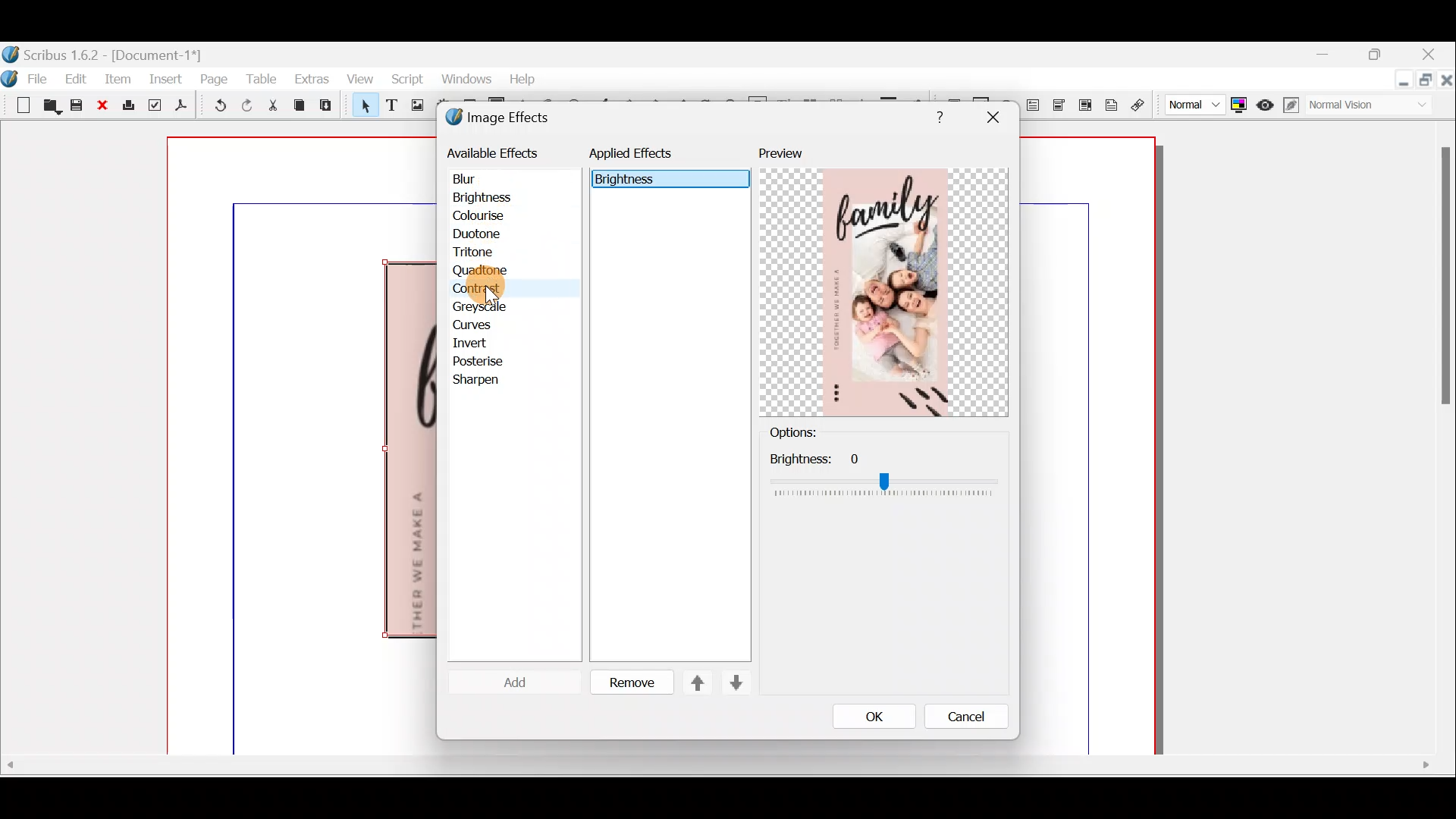 The height and width of the screenshot is (819, 1456). I want to click on Remove, so click(626, 683).